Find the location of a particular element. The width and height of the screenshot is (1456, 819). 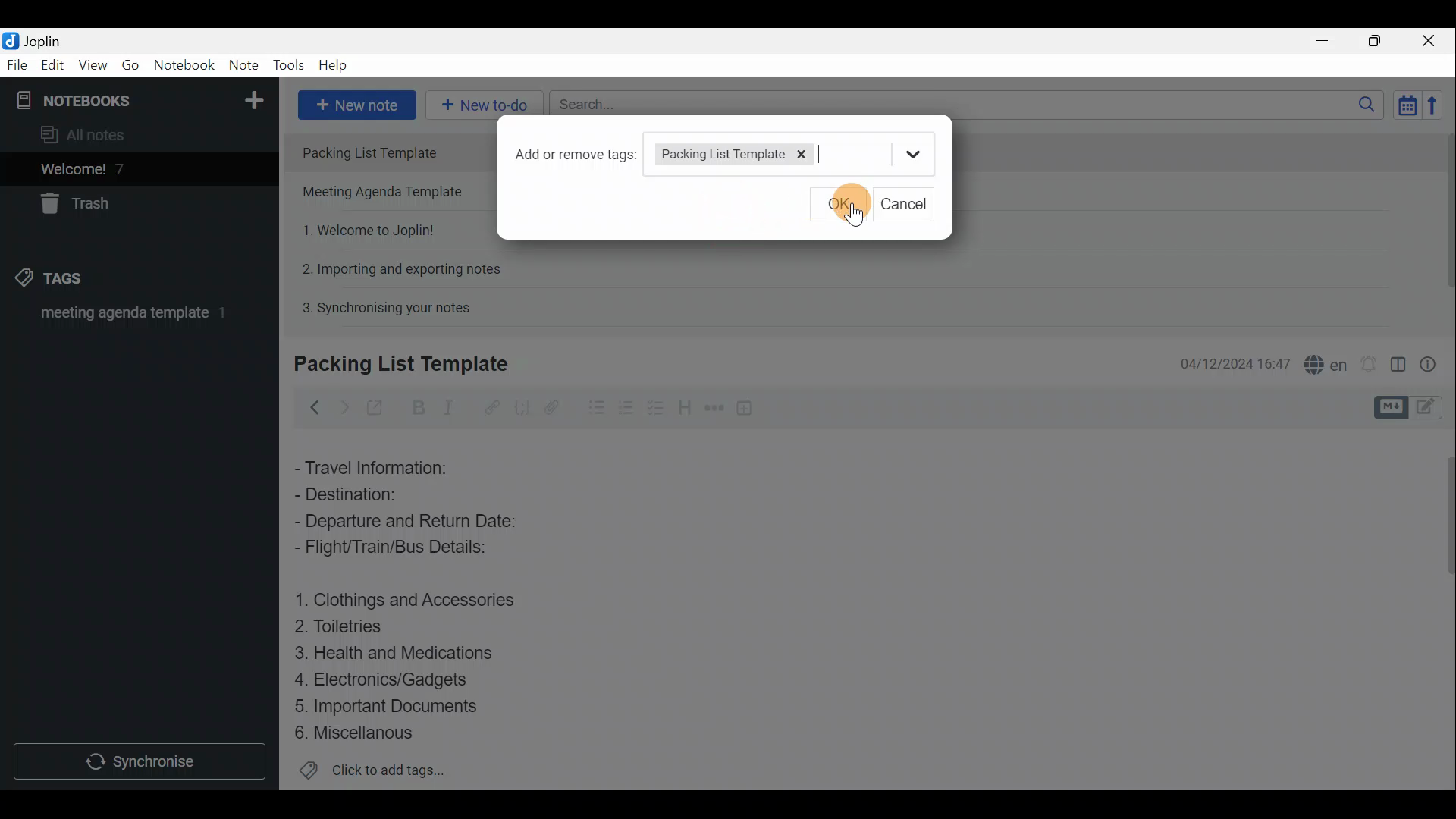

Set alarm is located at coordinates (1368, 360).